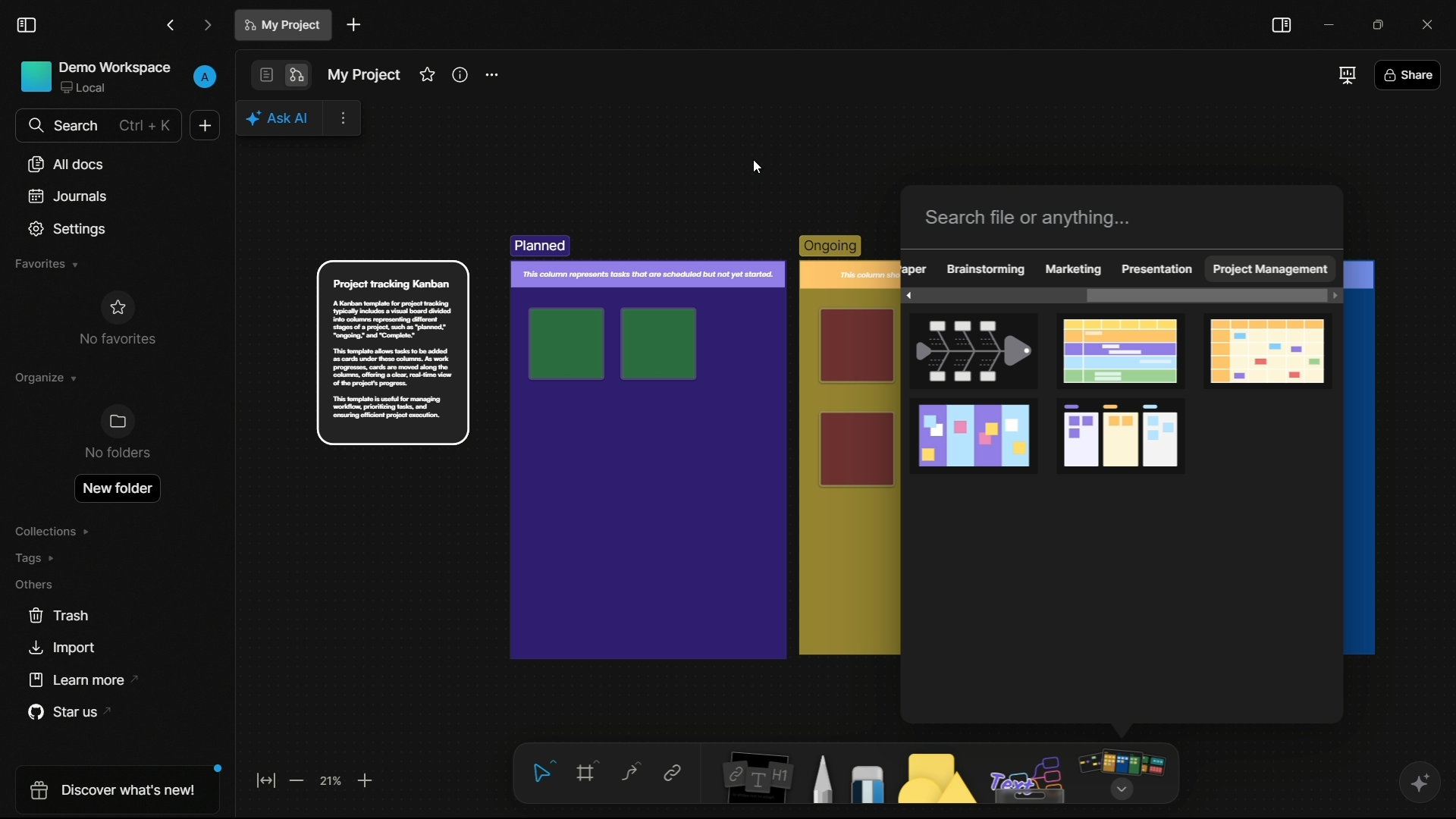 The image size is (1456, 819). Describe the element at coordinates (1345, 74) in the screenshot. I see `full screen` at that location.